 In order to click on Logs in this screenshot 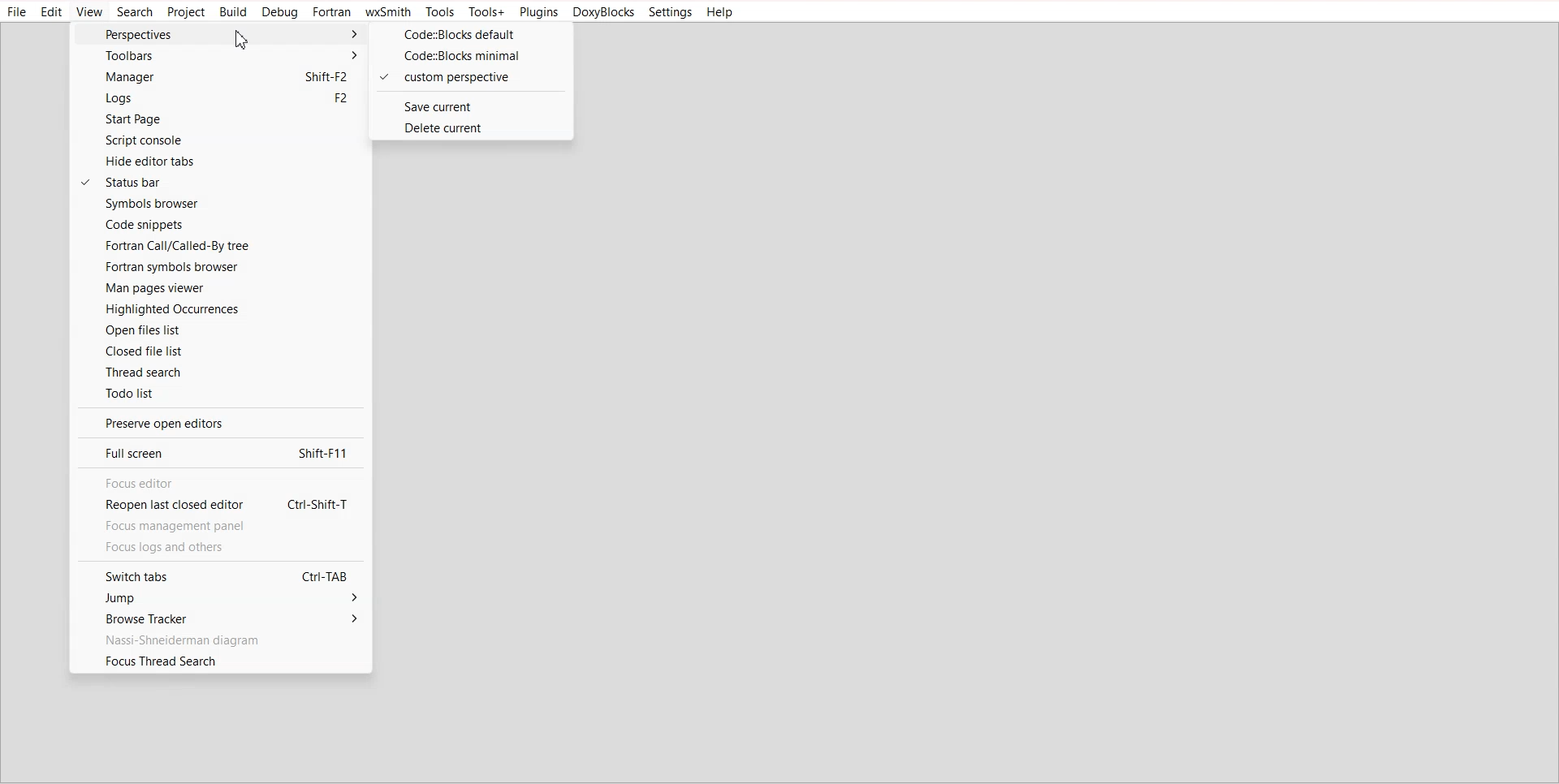, I will do `click(217, 99)`.